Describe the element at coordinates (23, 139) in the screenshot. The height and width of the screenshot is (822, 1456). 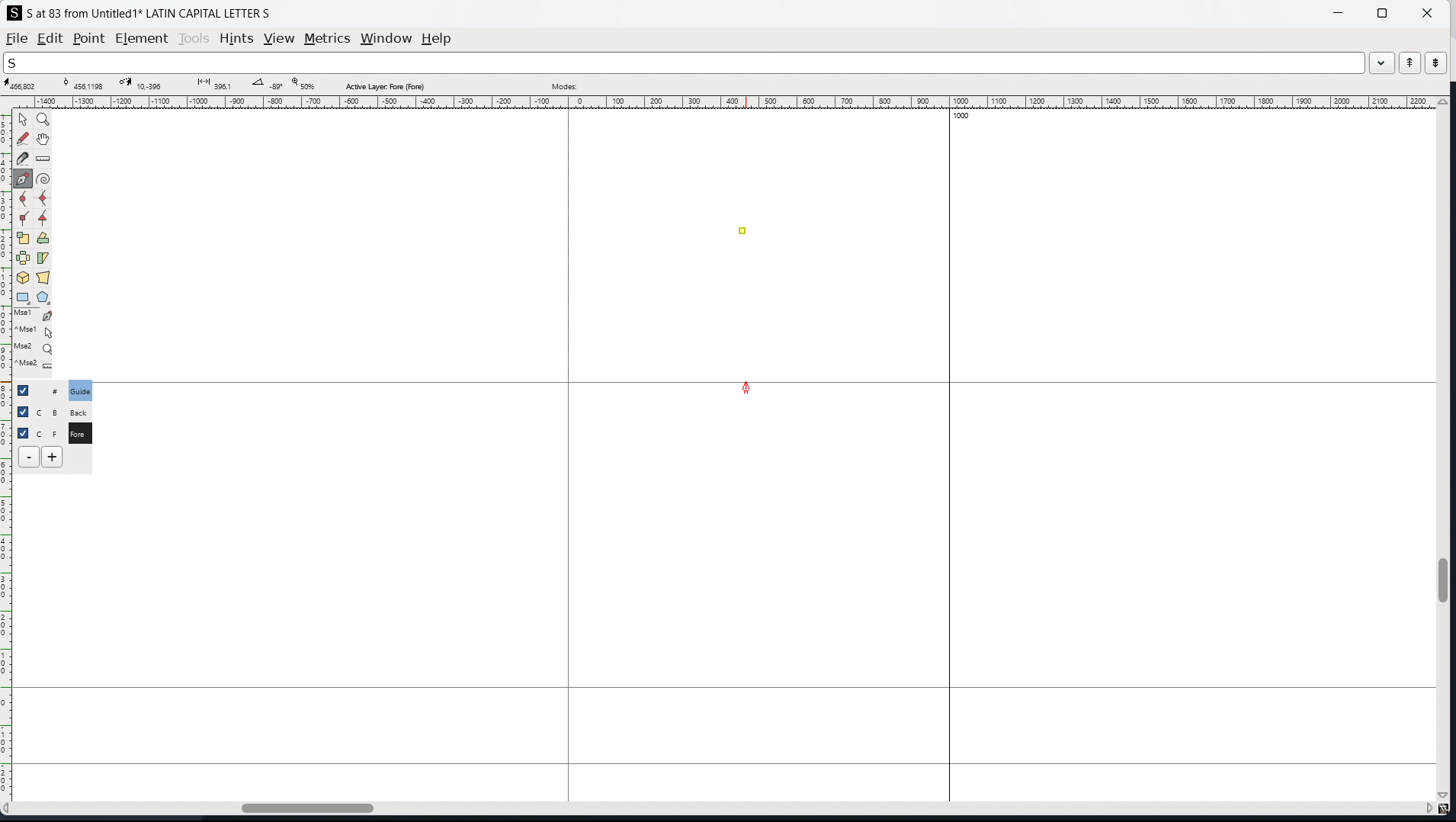
I see `draw a freehand curve` at that location.